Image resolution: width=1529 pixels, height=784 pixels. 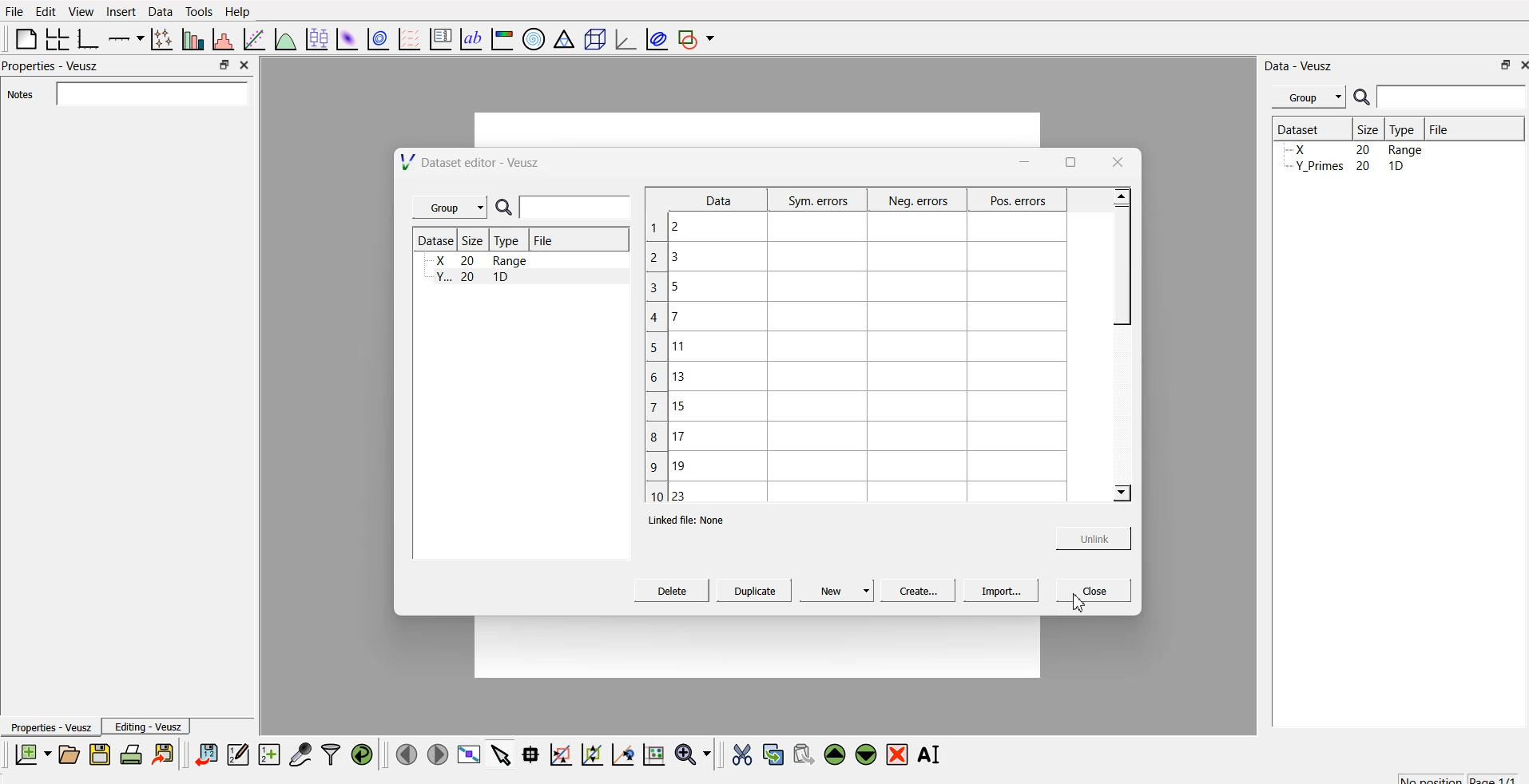 I want to click on Notes, so click(x=18, y=95).